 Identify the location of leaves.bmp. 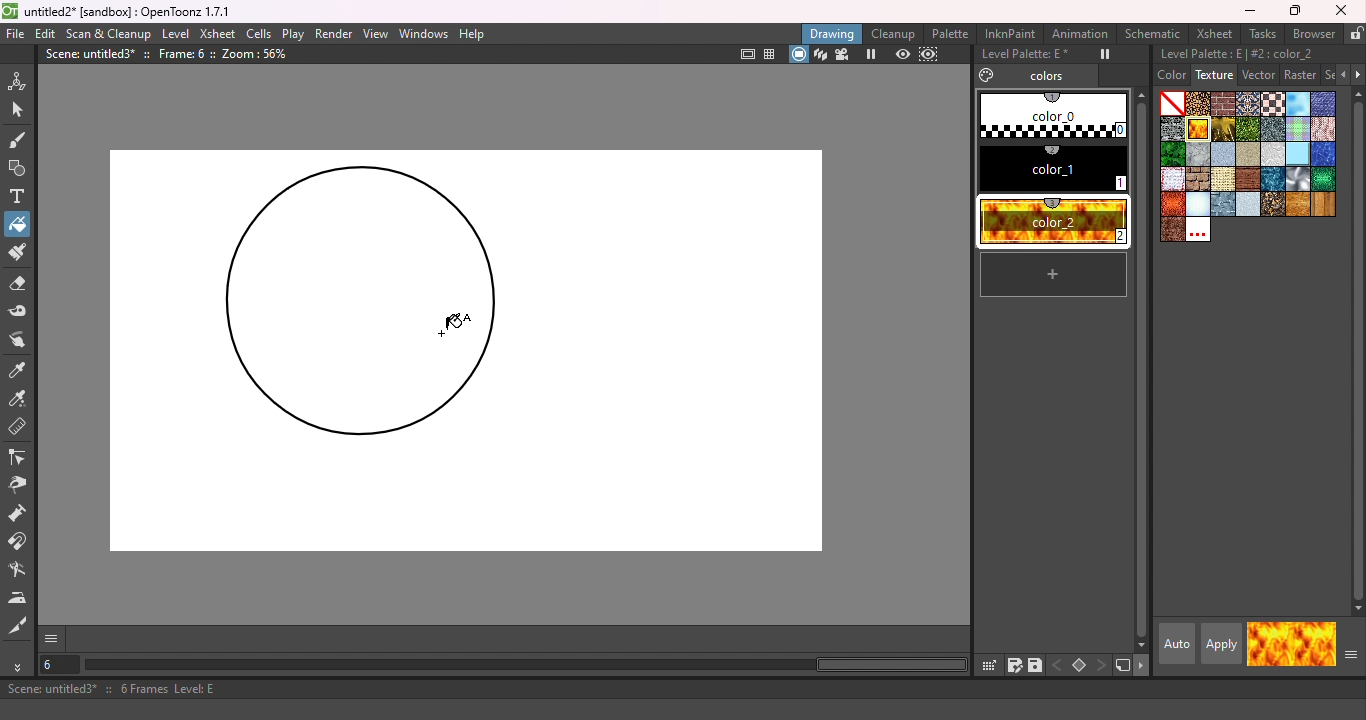
(1172, 154).